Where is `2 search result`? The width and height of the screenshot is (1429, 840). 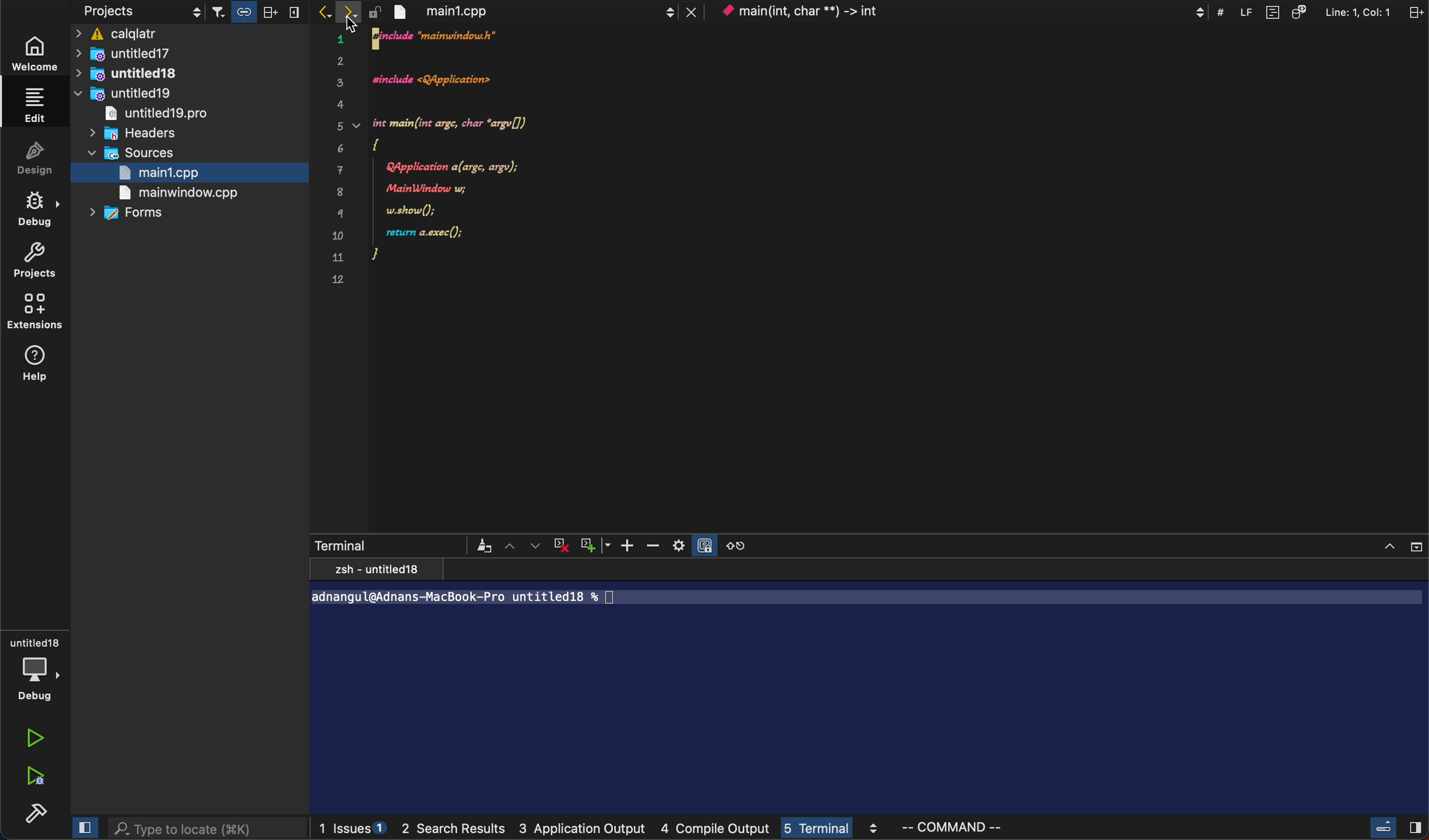
2 search result is located at coordinates (458, 831).